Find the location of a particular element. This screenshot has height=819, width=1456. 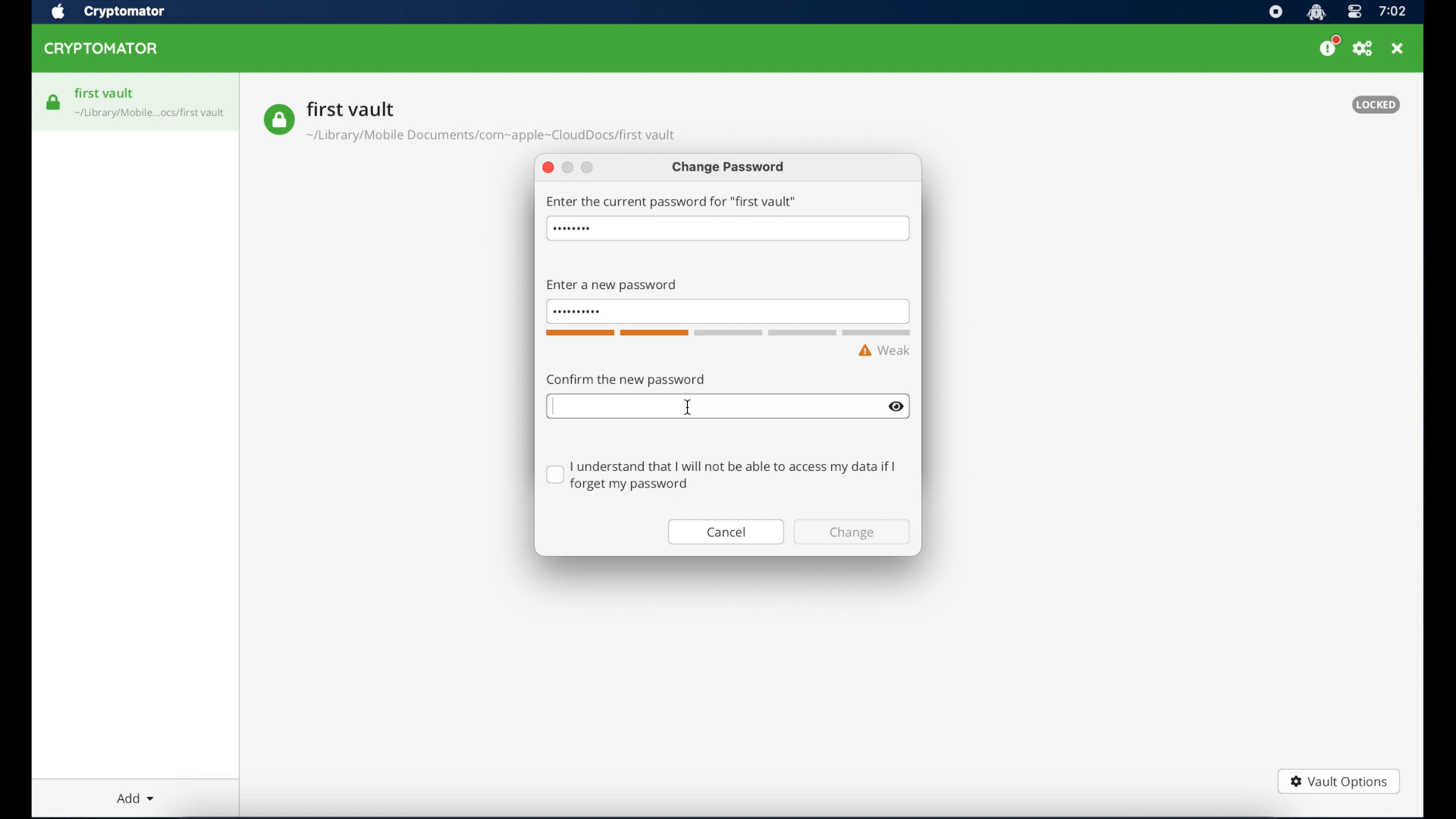

apple icon is located at coordinates (57, 12).